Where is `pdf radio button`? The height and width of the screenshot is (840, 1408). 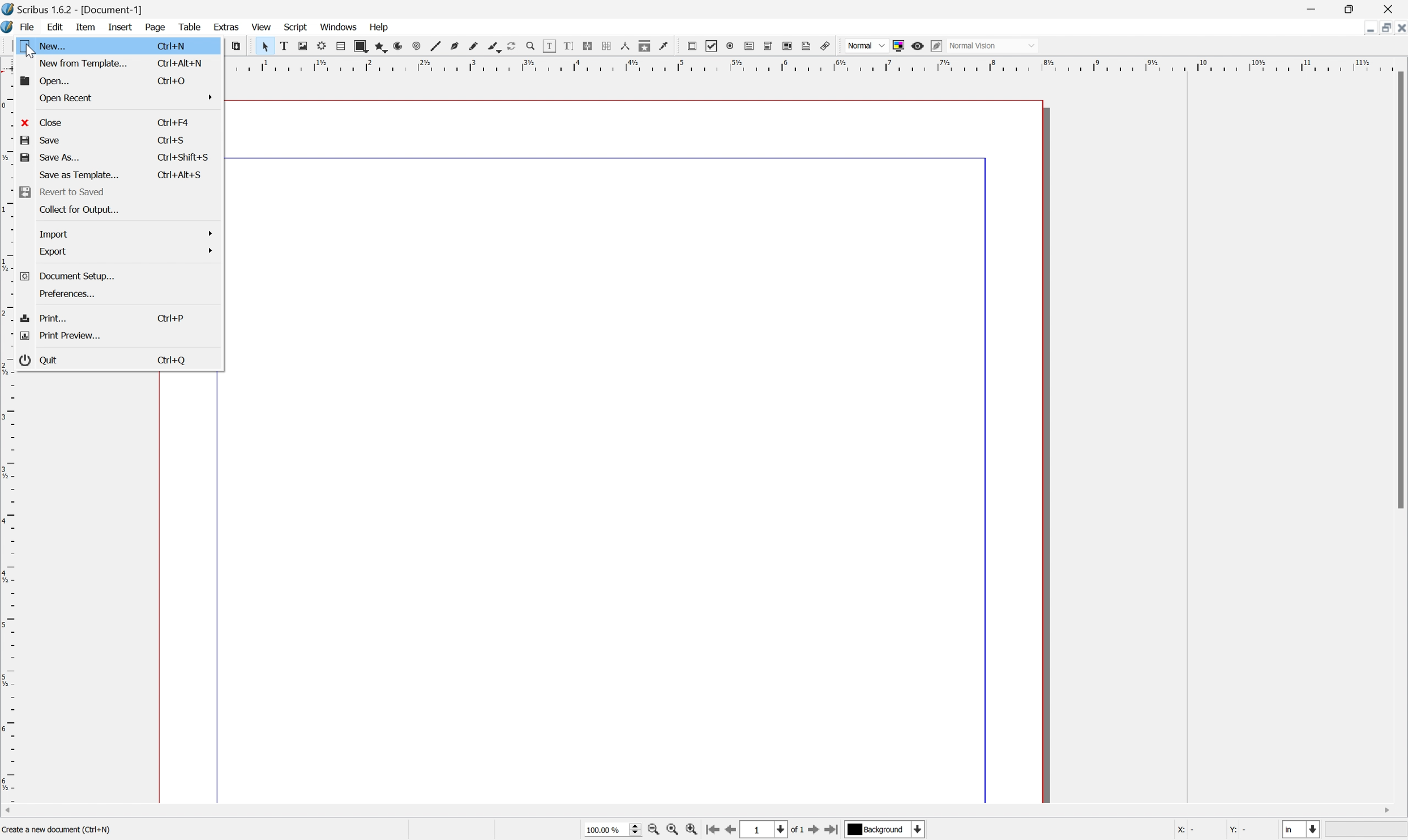
pdf radio button is located at coordinates (730, 44).